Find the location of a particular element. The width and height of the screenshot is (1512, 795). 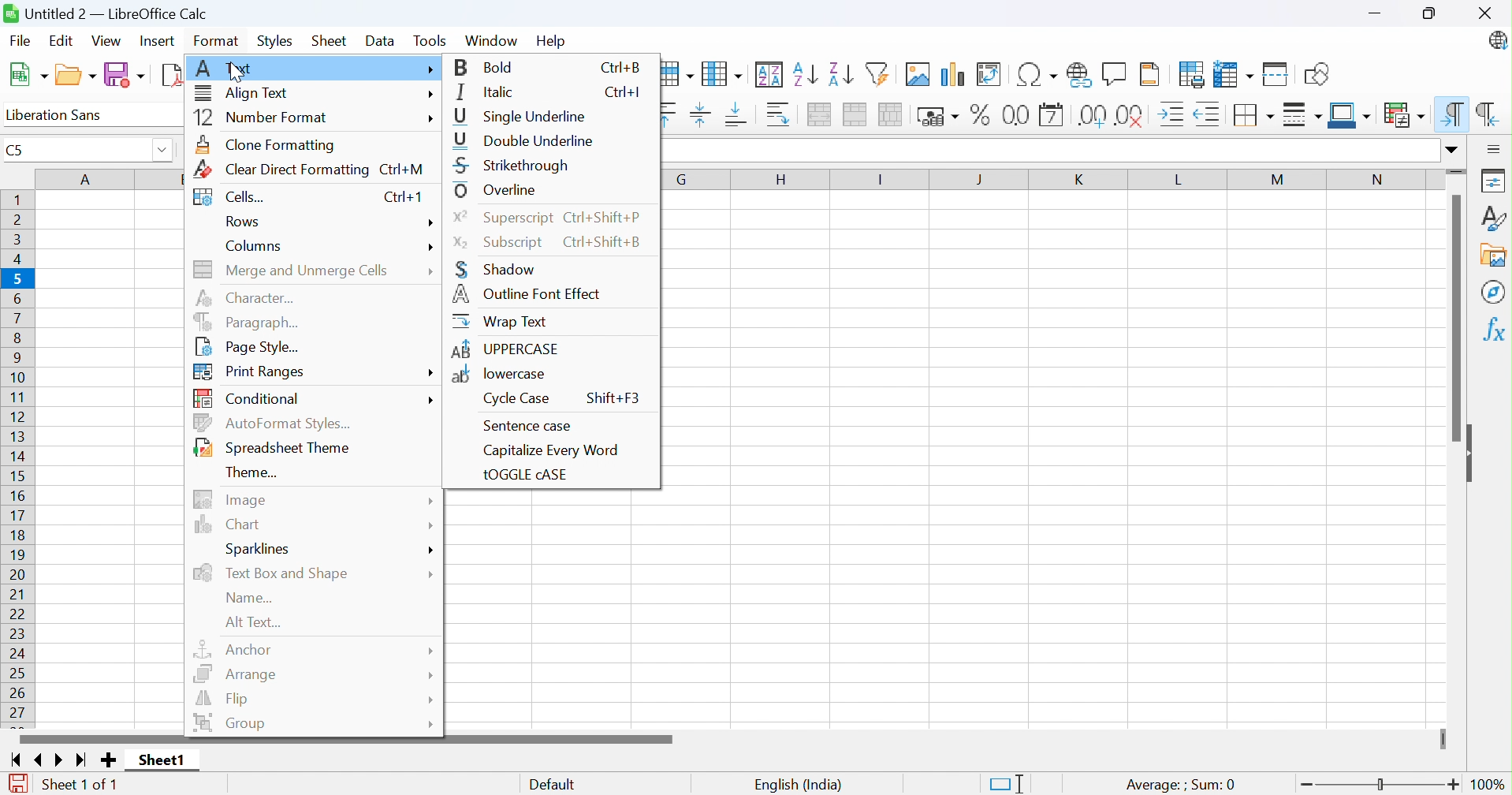

Image is located at coordinates (232, 499).